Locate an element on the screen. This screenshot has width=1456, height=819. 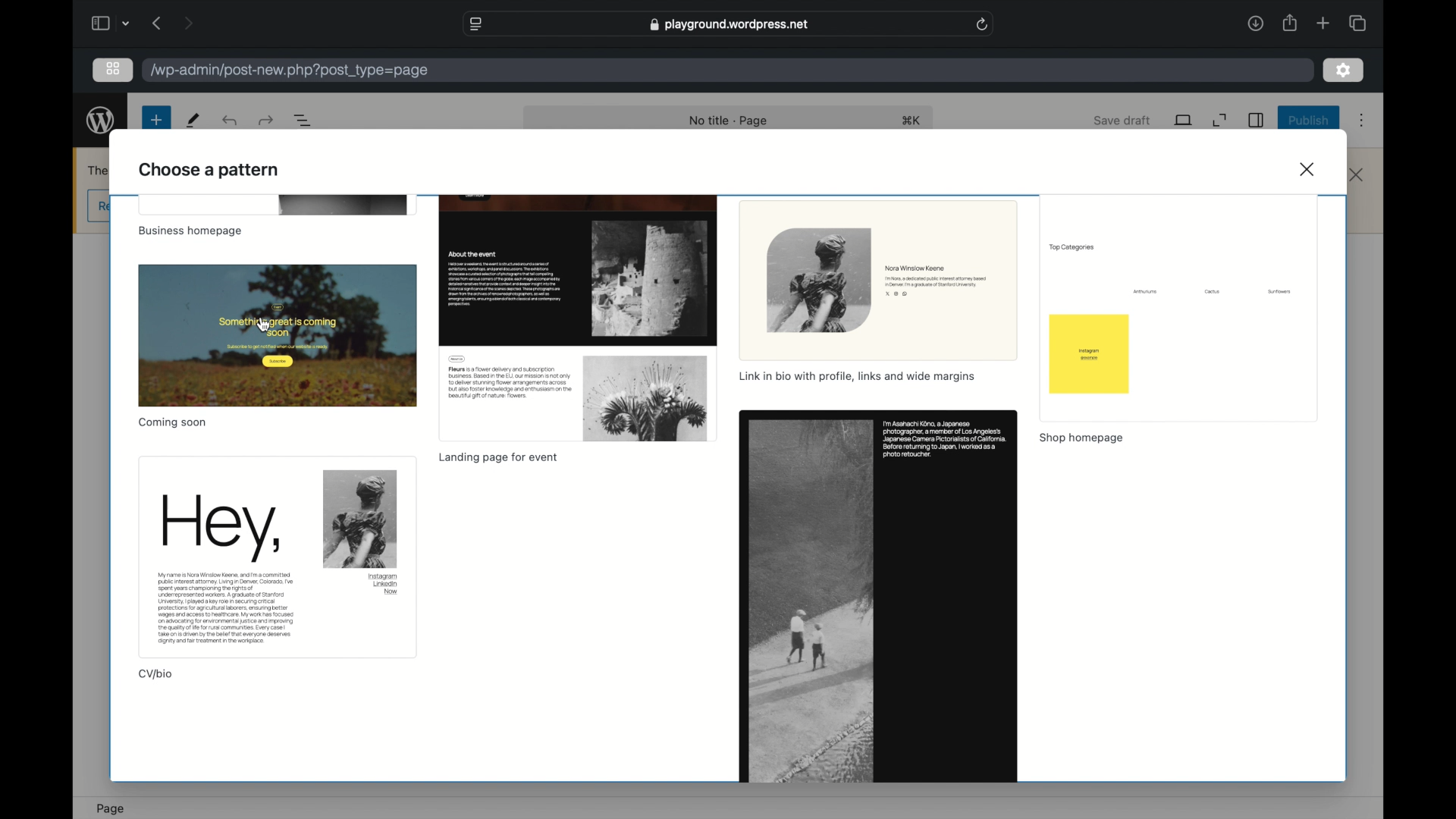
shortcut is located at coordinates (912, 120).